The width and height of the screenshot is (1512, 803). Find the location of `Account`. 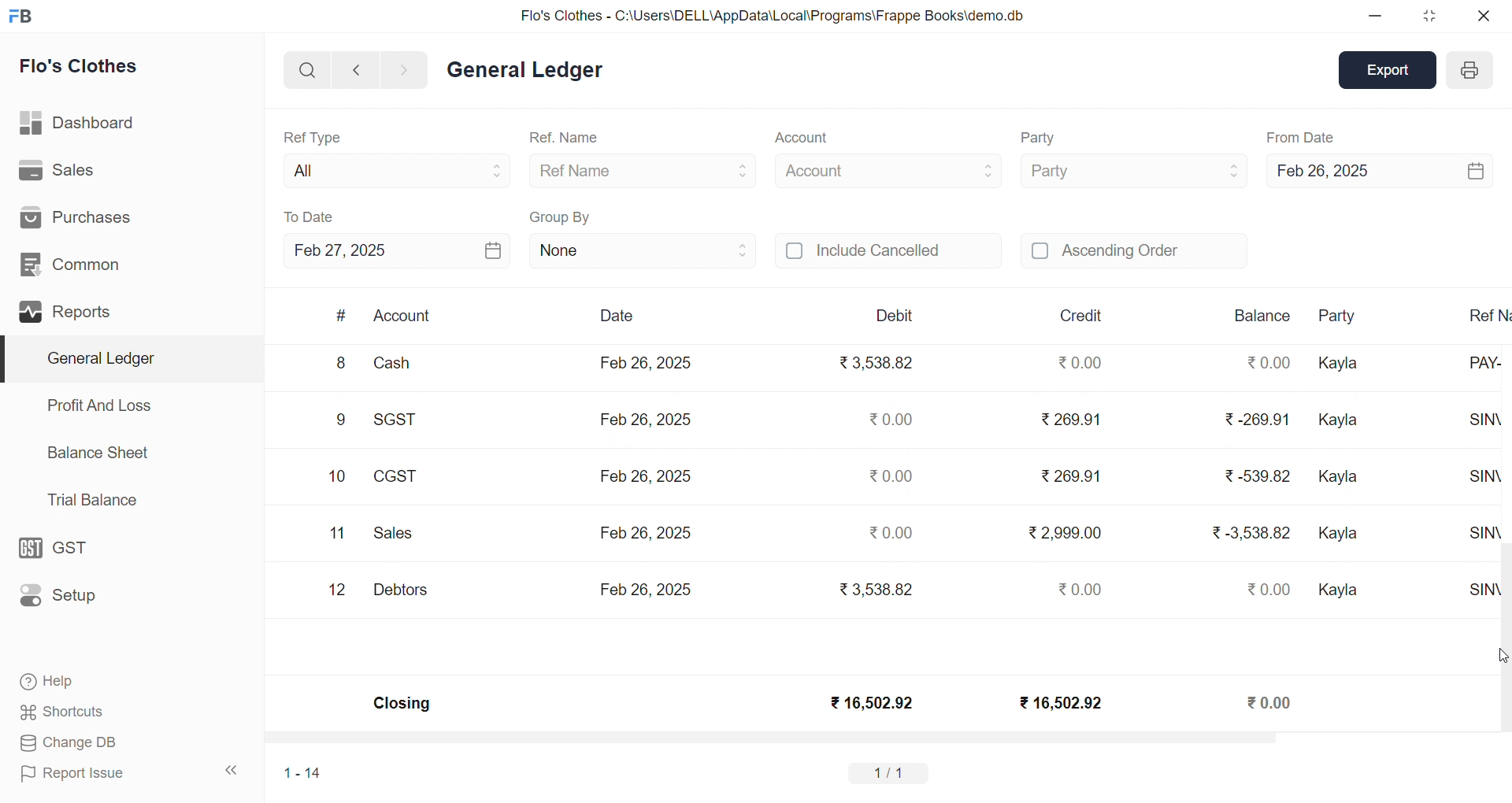

Account is located at coordinates (403, 317).